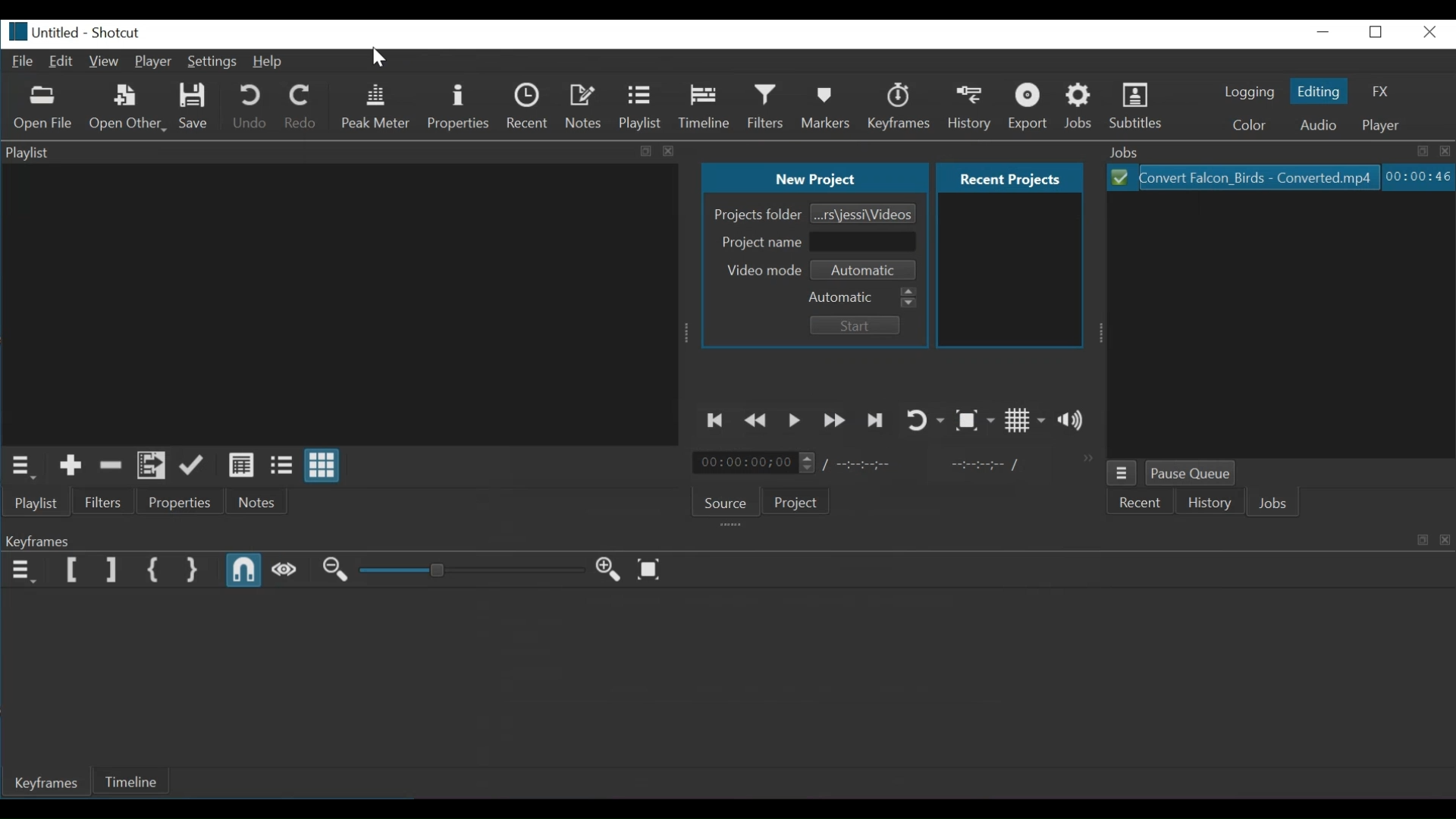 The image size is (1456, 819). I want to click on Edit, so click(64, 61).